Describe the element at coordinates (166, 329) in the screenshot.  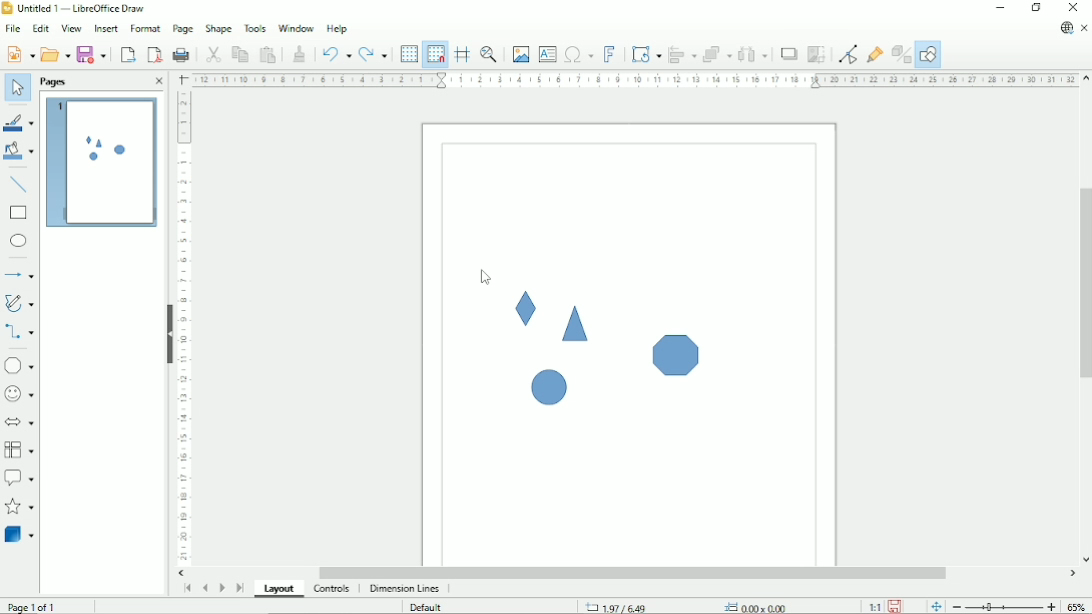
I see `Hide` at that location.